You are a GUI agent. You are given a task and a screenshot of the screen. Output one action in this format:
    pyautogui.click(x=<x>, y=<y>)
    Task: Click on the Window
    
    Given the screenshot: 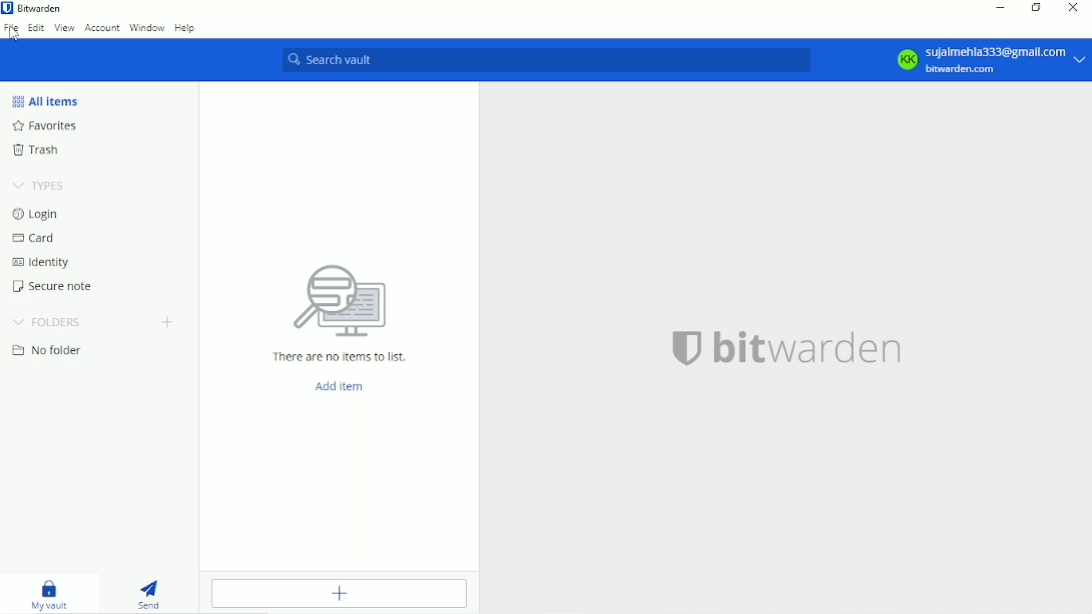 What is the action you would take?
    pyautogui.click(x=147, y=26)
    